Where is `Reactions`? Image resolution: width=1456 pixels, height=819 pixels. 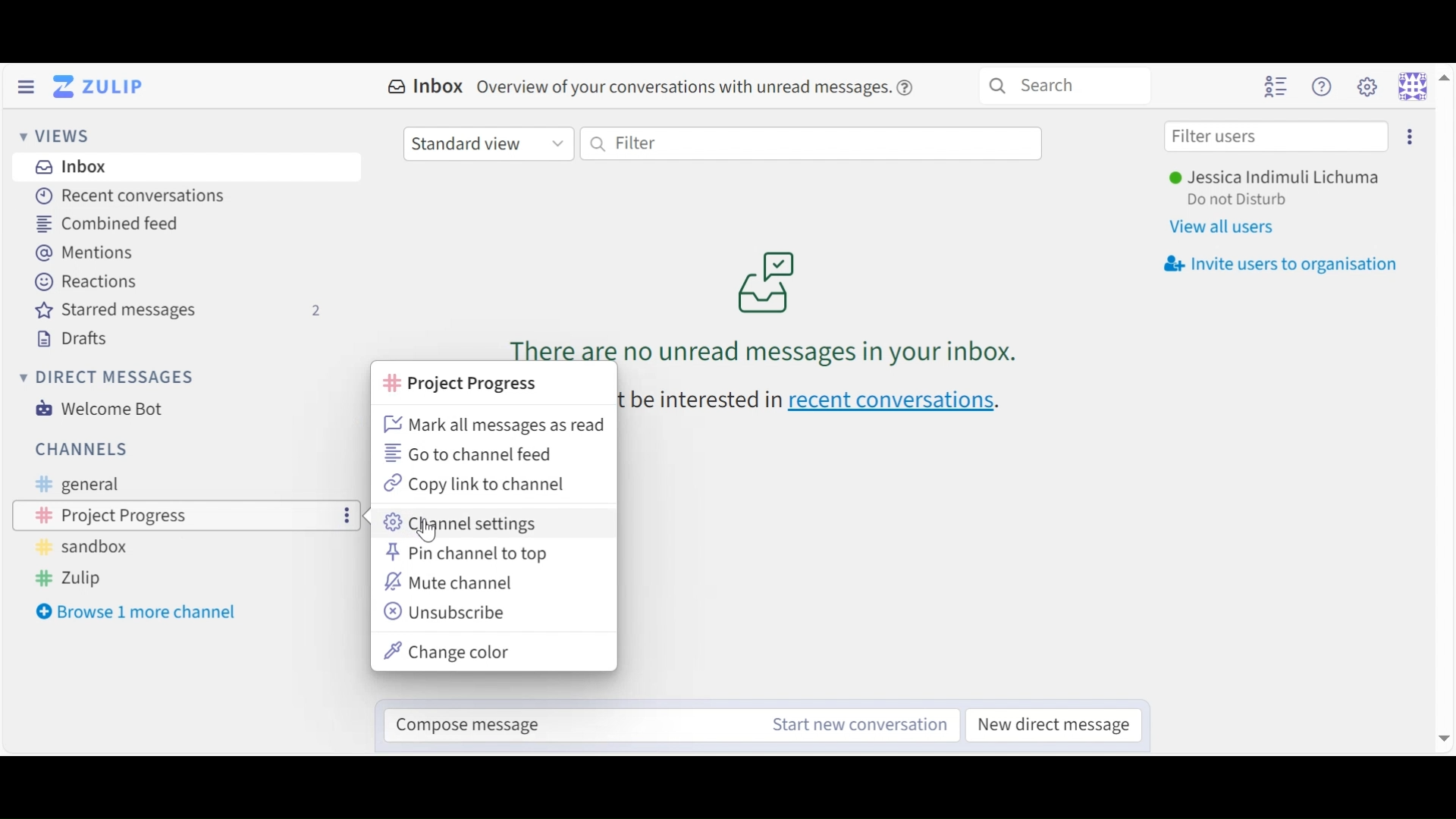 Reactions is located at coordinates (88, 283).